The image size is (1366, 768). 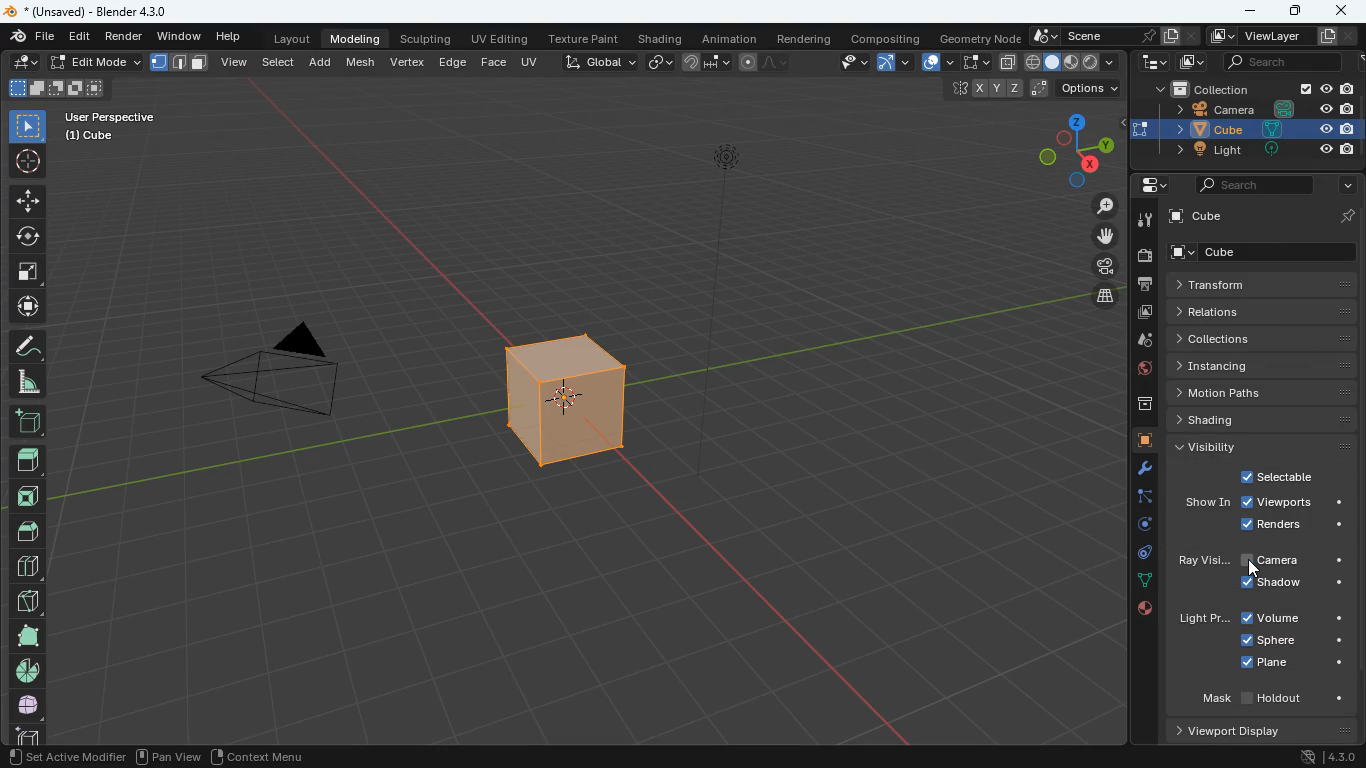 I want to click on motion paths, so click(x=1262, y=394).